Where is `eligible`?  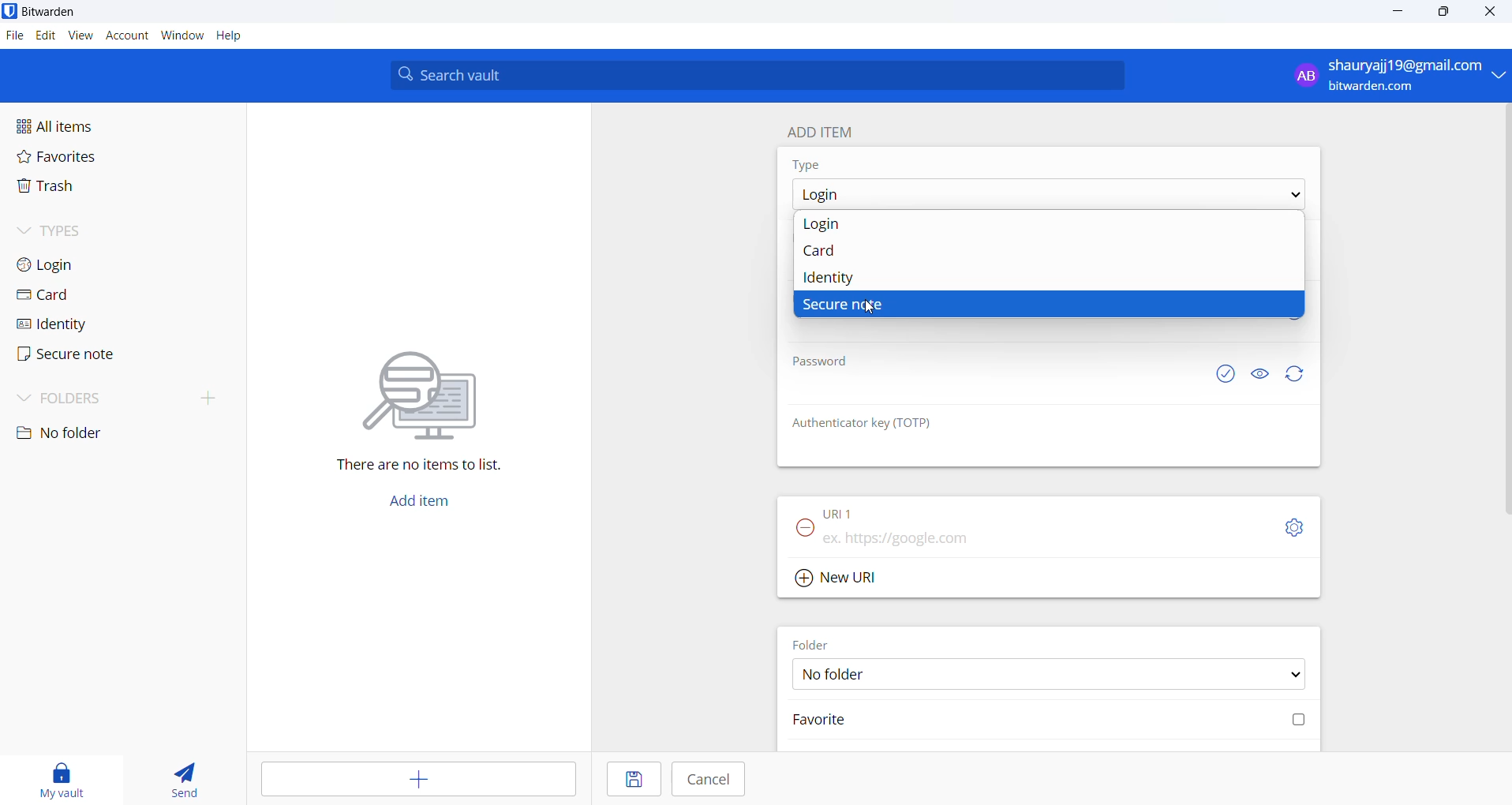
eligible is located at coordinates (1223, 374).